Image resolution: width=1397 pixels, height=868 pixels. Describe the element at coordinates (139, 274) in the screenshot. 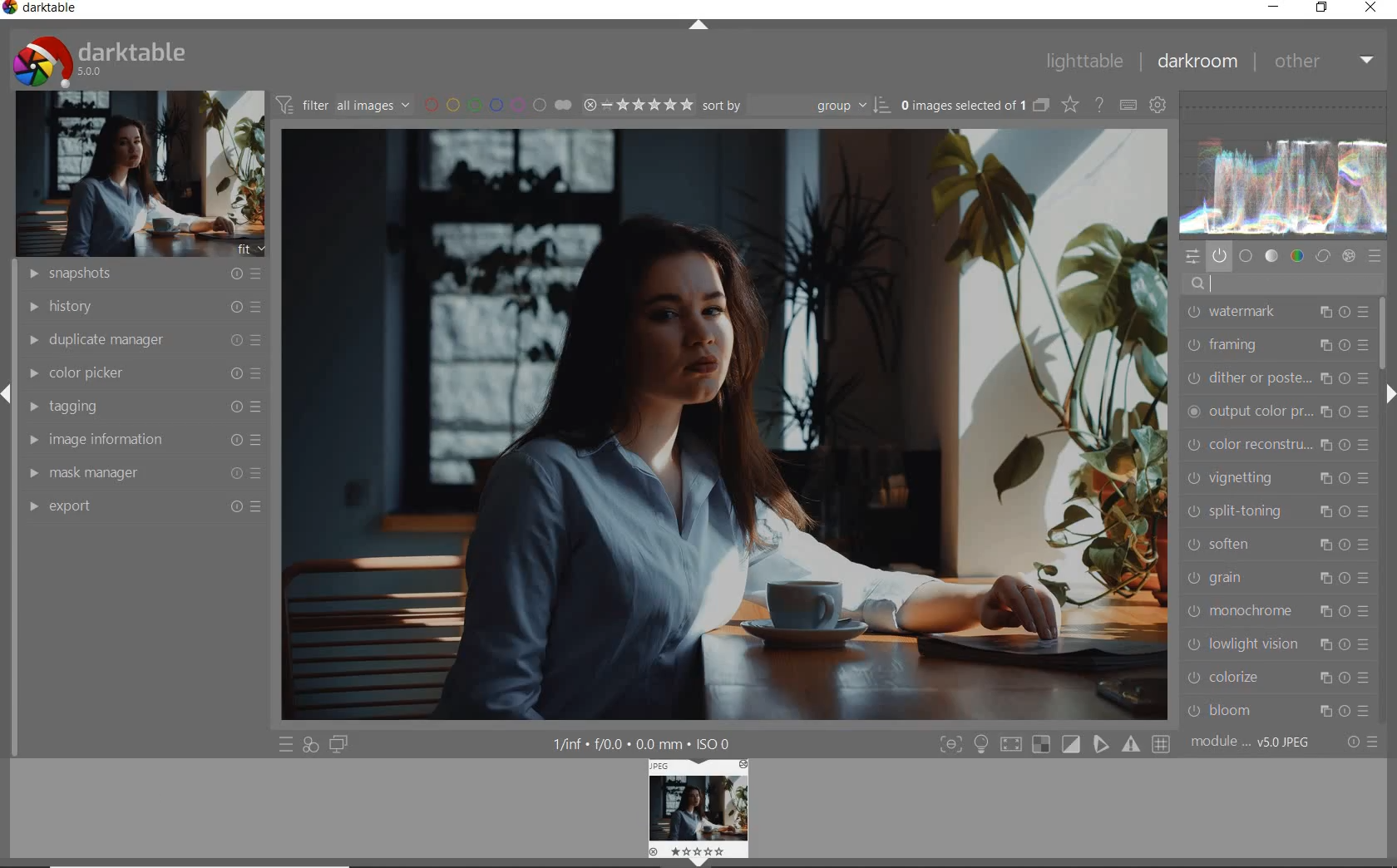

I see `snapshots` at that location.